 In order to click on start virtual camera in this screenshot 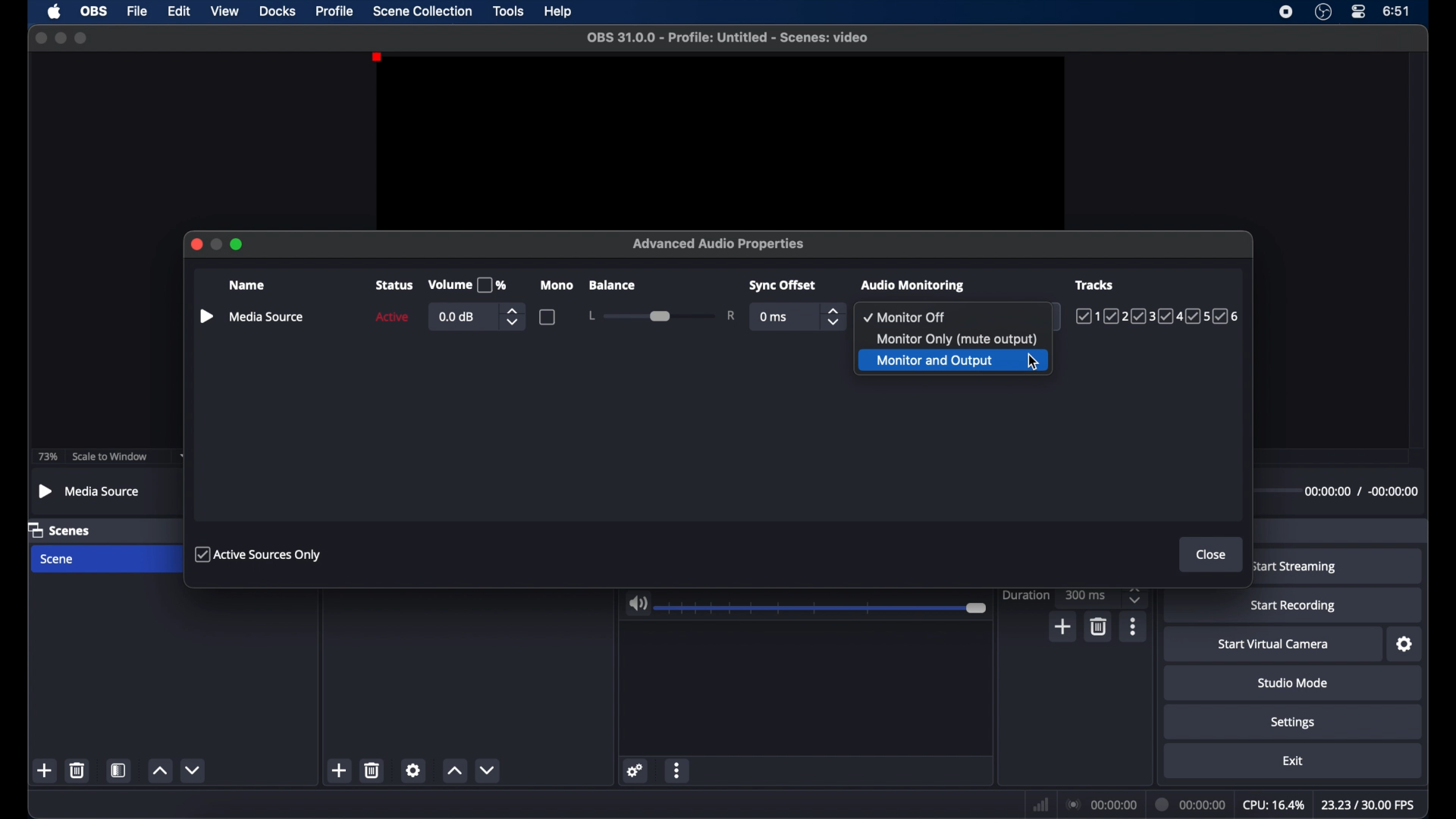, I will do `click(1274, 645)`.